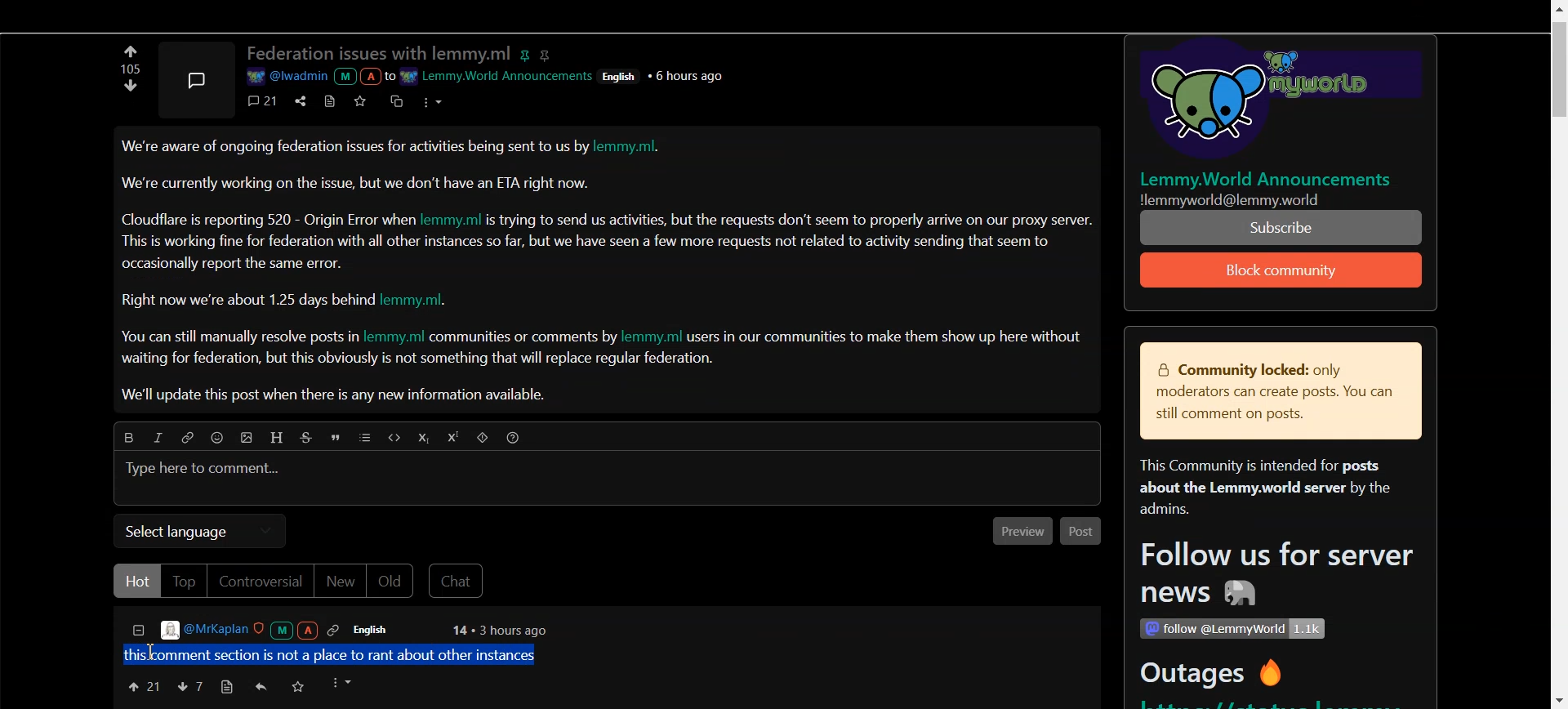 This screenshot has height=709, width=1568. I want to click on options, so click(344, 683).